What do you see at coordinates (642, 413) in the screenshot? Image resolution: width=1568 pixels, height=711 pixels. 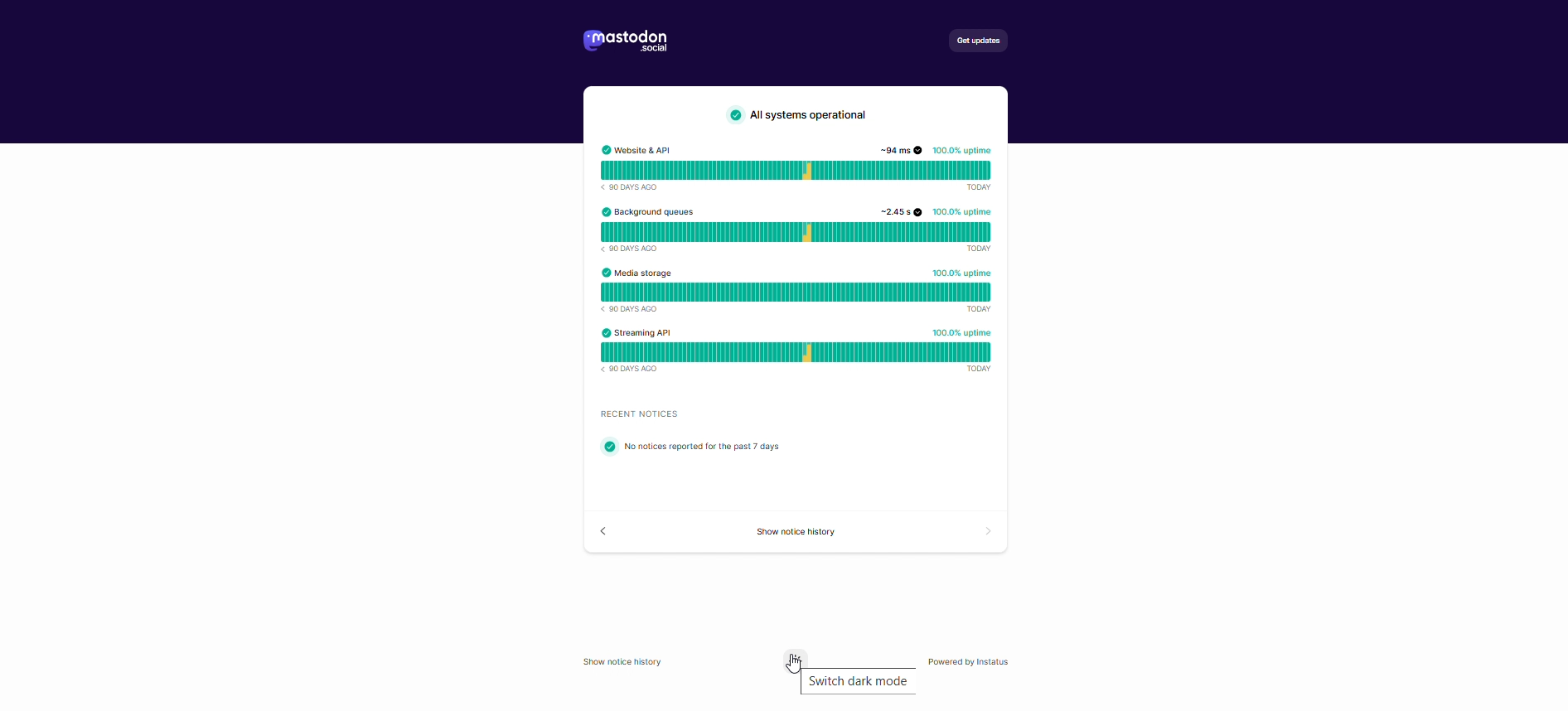 I see `text` at bounding box center [642, 413].